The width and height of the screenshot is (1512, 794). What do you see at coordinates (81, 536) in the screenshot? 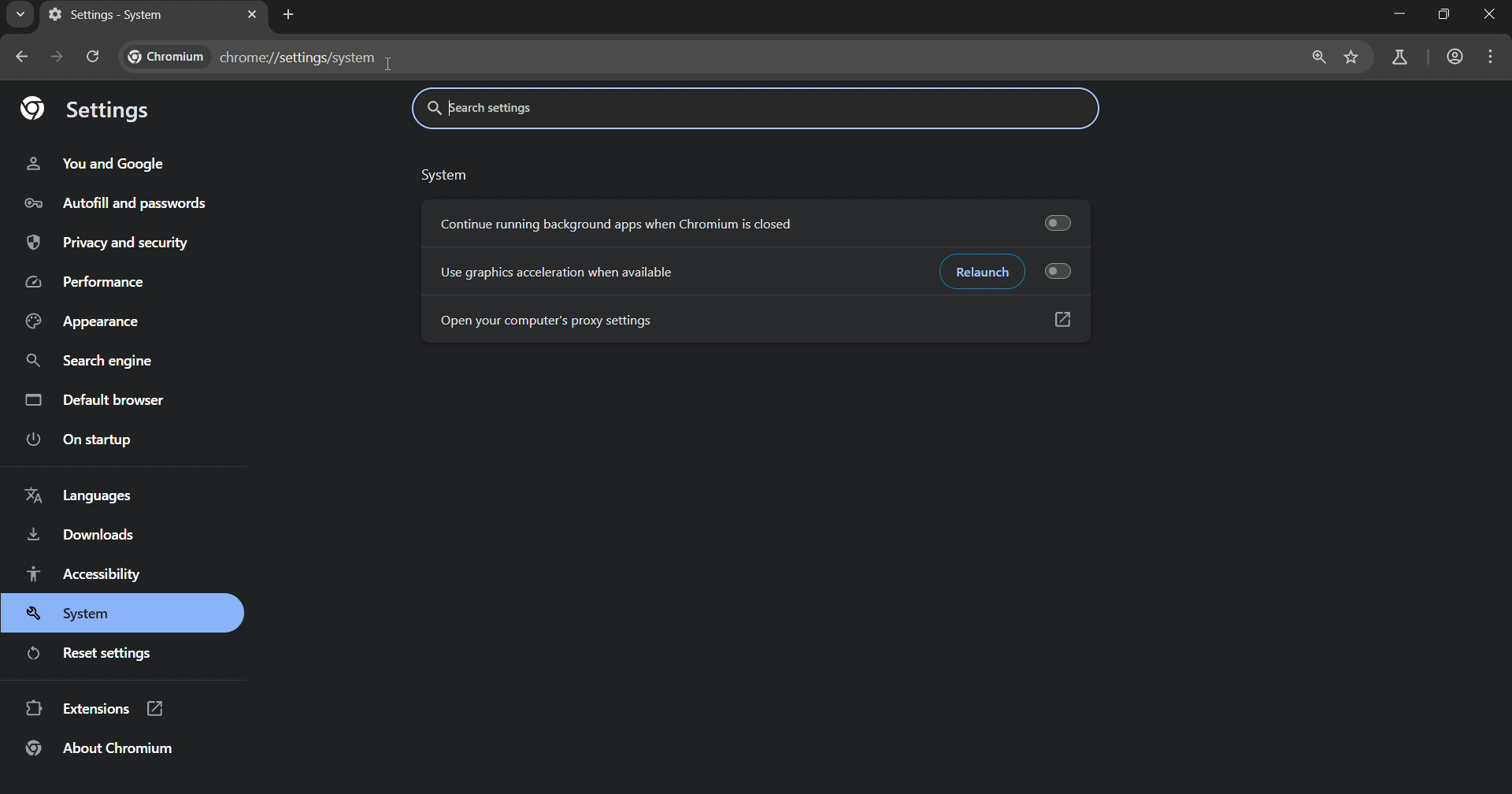
I see `downloads` at bounding box center [81, 536].